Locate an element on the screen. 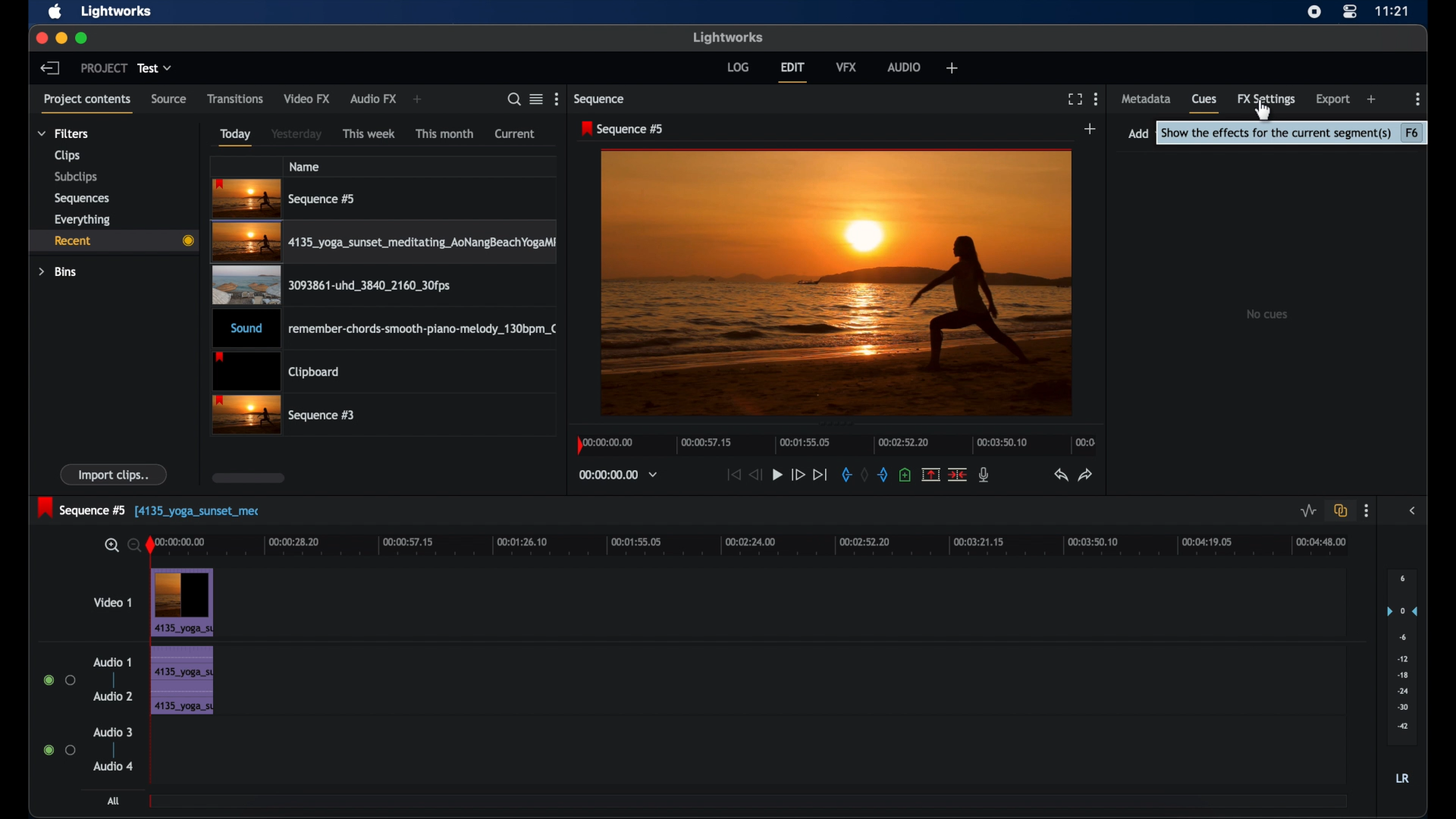 The height and width of the screenshot is (819, 1456). clear marks is located at coordinates (864, 475).